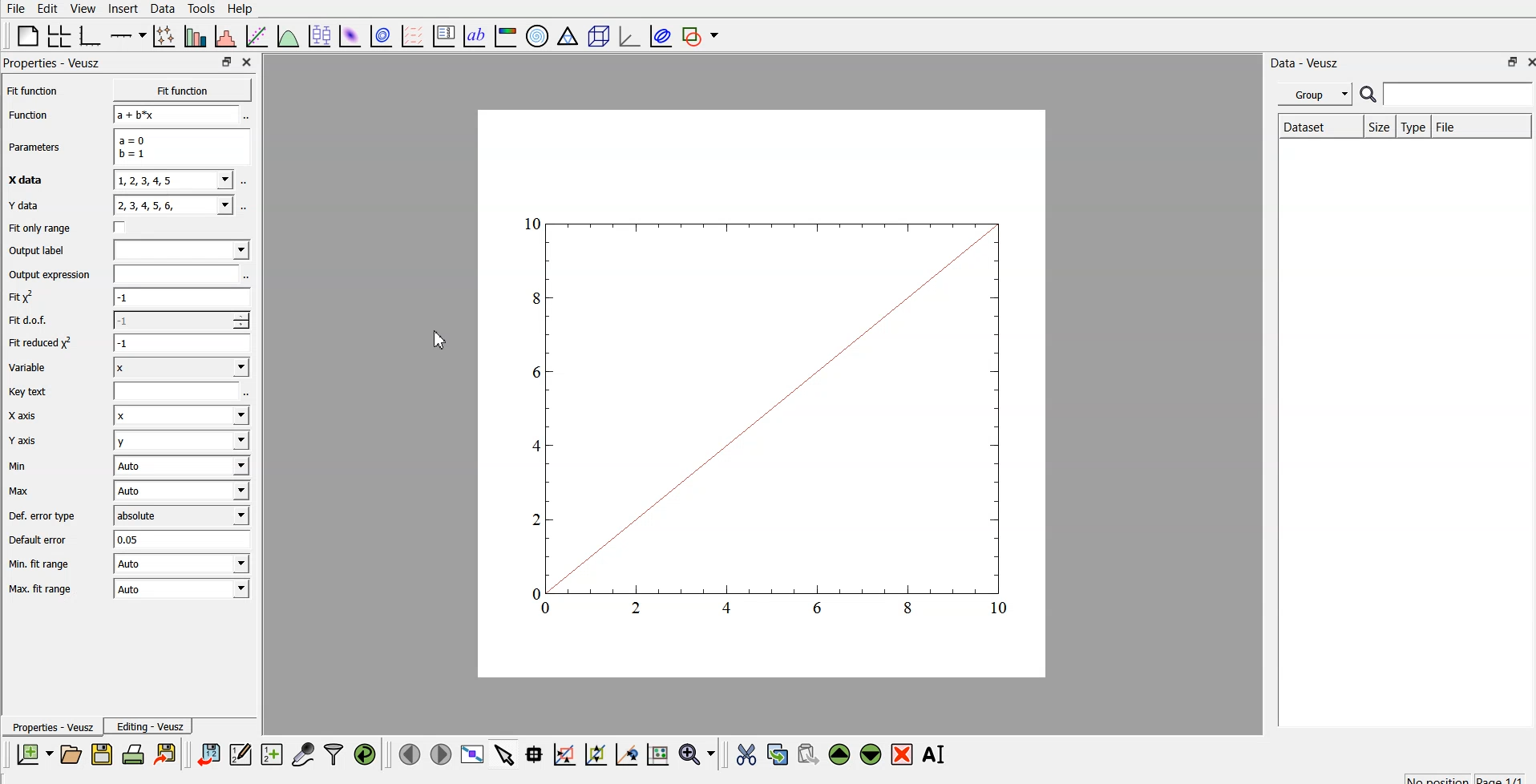 Image resolution: width=1536 pixels, height=784 pixels. What do you see at coordinates (629, 755) in the screenshot?
I see `click to recenter graph axes` at bounding box center [629, 755].